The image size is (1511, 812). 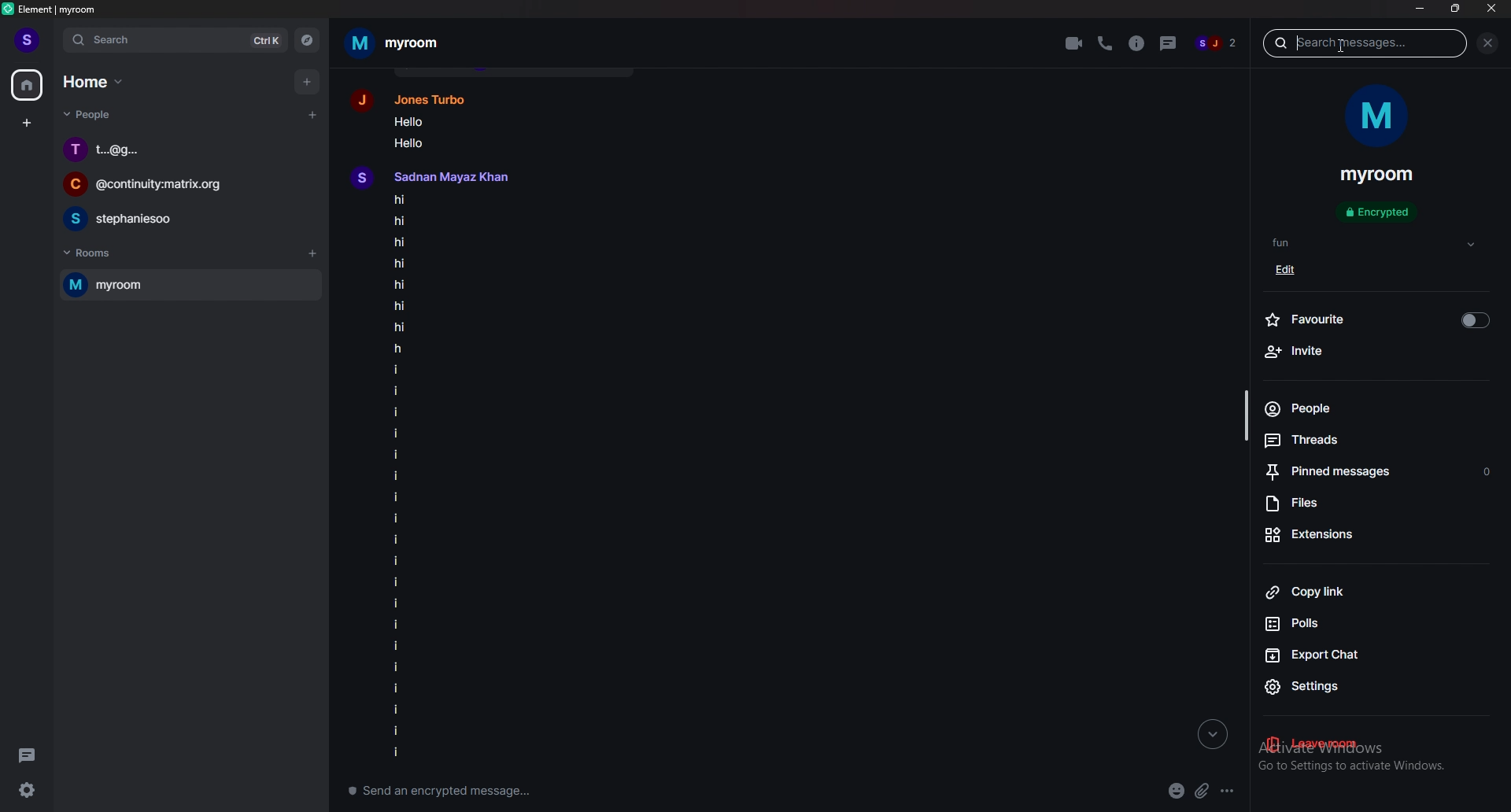 I want to click on cursor, so click(x=1337, y=48).